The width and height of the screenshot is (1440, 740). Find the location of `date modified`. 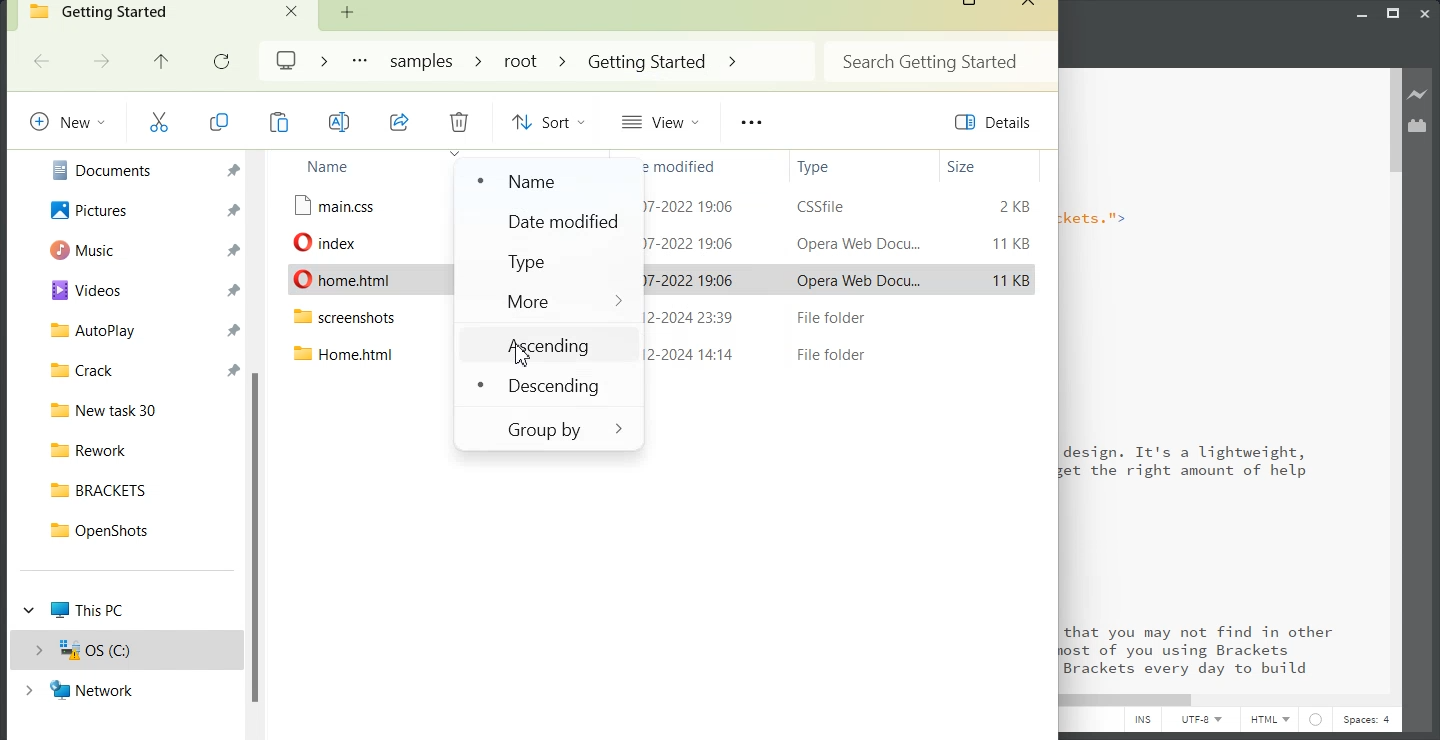

date modified is located at coordinates (689, 279).